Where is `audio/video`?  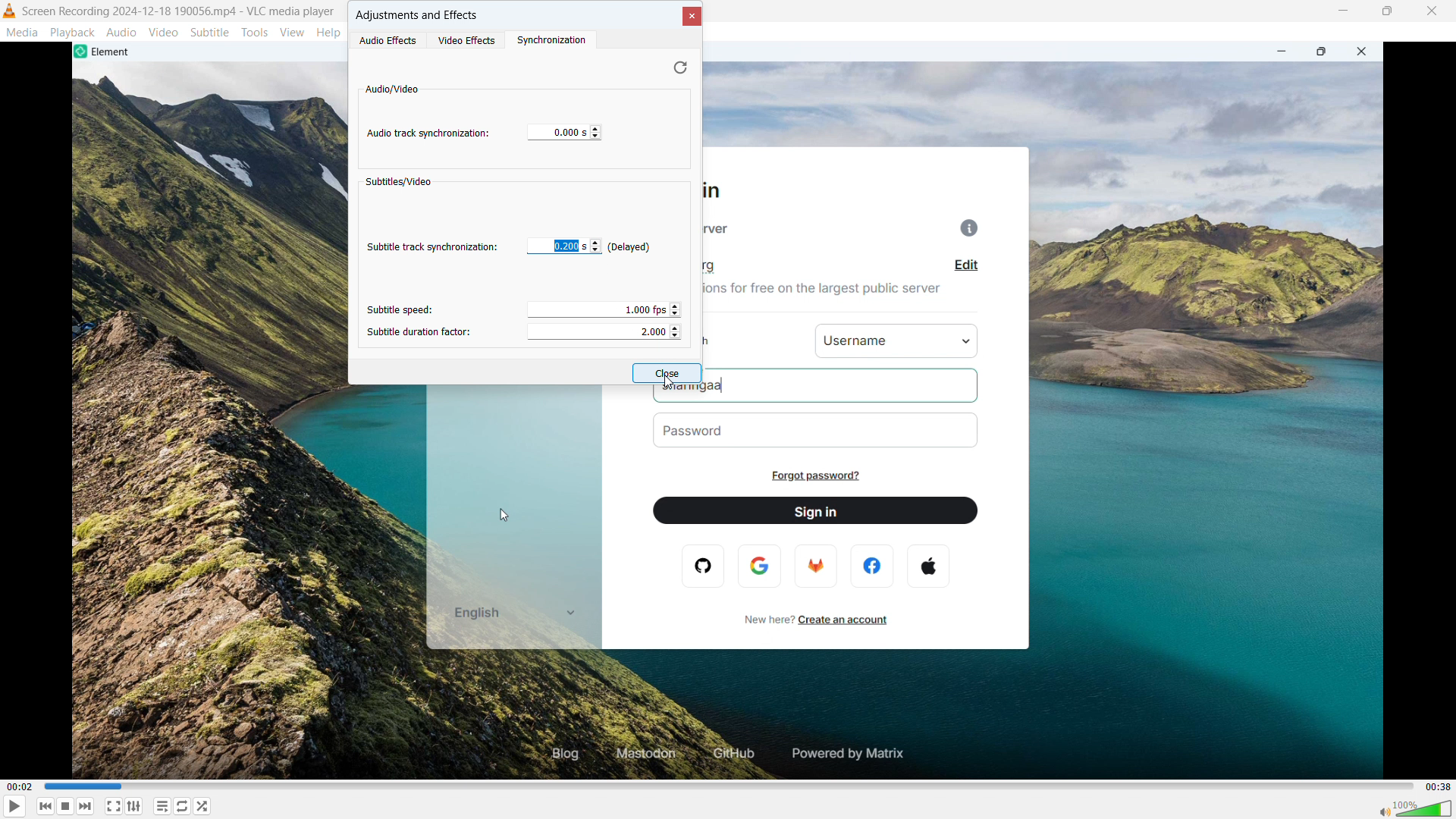
audio/video is located at coordinates (393, 89).